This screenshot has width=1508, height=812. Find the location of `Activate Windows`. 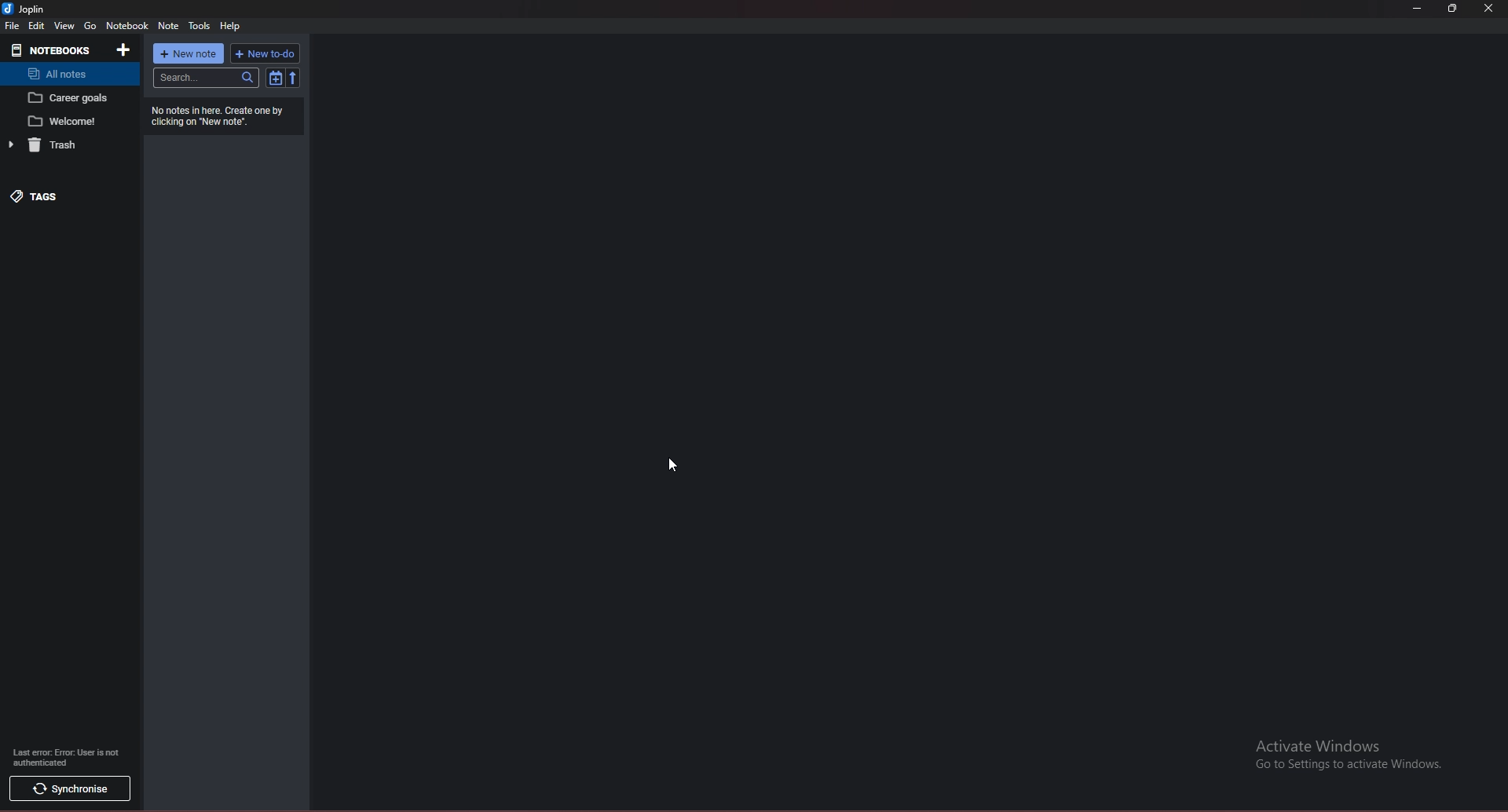

Activate Windows is located at coordinates (1343, 760).